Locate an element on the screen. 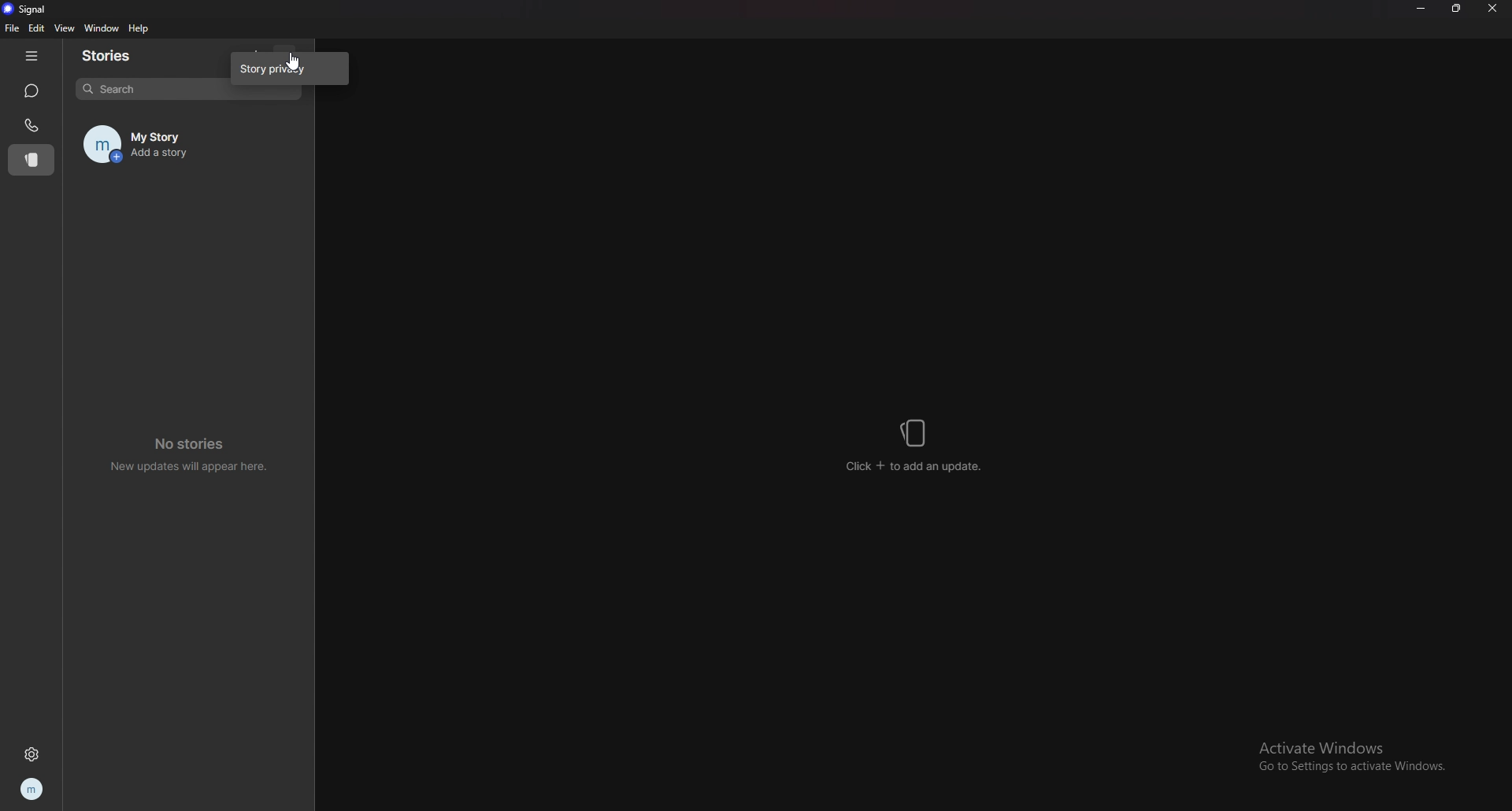 This screenshot has width=1512, height=811. stories is located at coordinates (117, 54).